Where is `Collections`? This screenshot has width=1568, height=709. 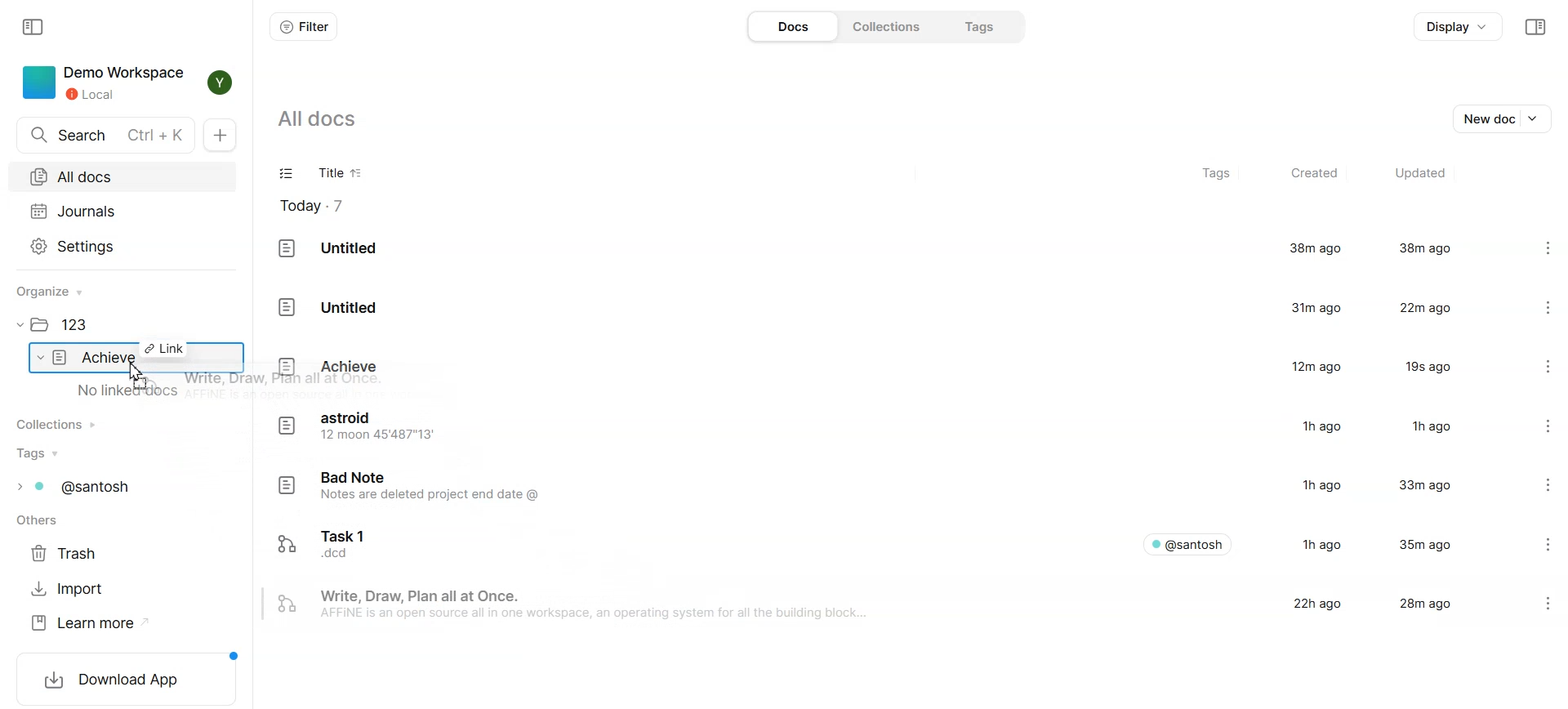
Collections is located at coordinates (884, 25).